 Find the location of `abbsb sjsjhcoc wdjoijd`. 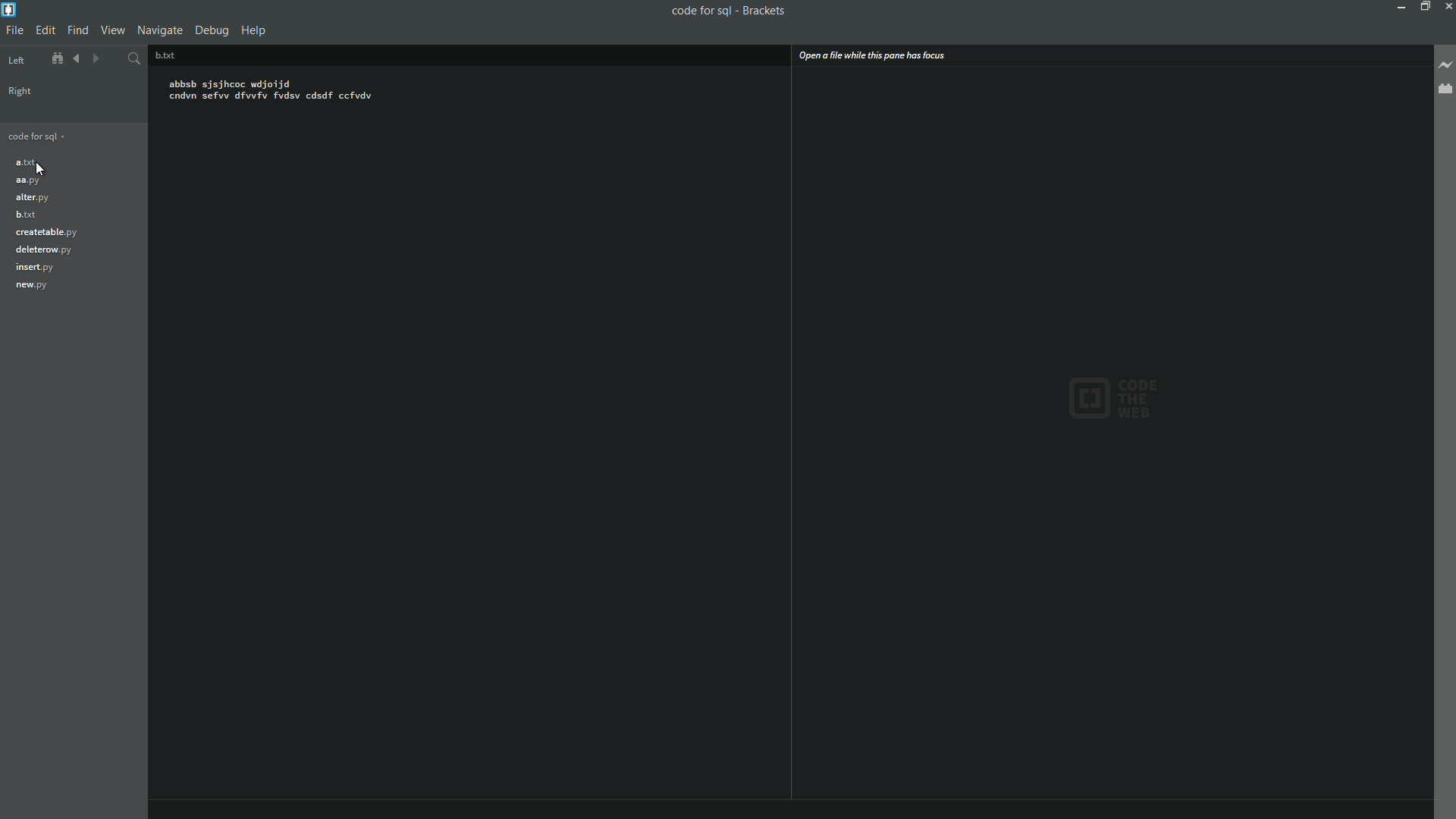

abbsb sjsjhcoc wdjoijd is located at coordinates (236, 82).